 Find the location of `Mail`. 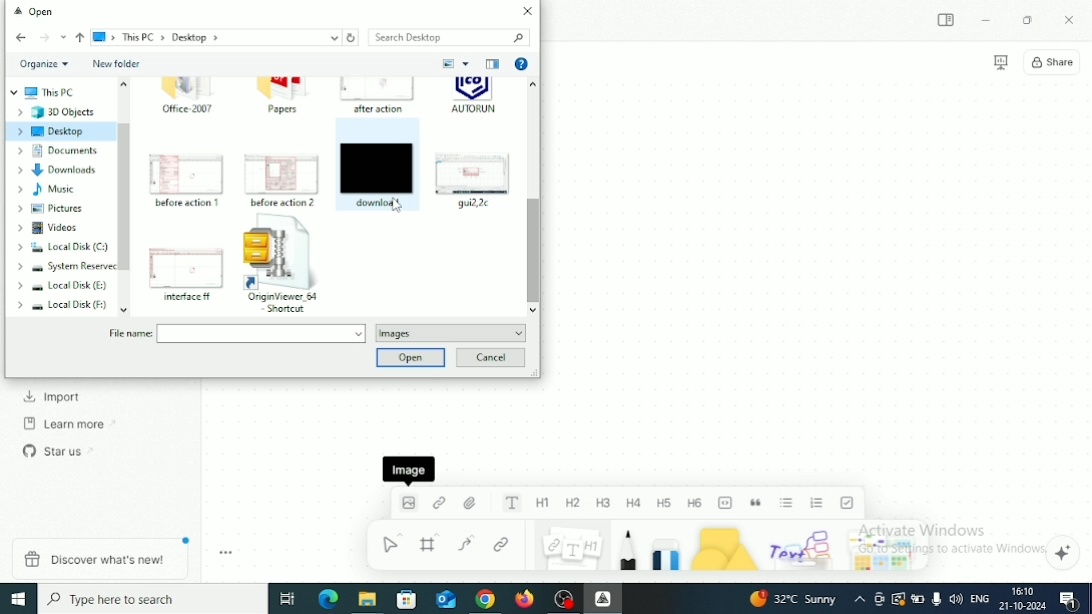

Mail is located at coordinates (444, 600).